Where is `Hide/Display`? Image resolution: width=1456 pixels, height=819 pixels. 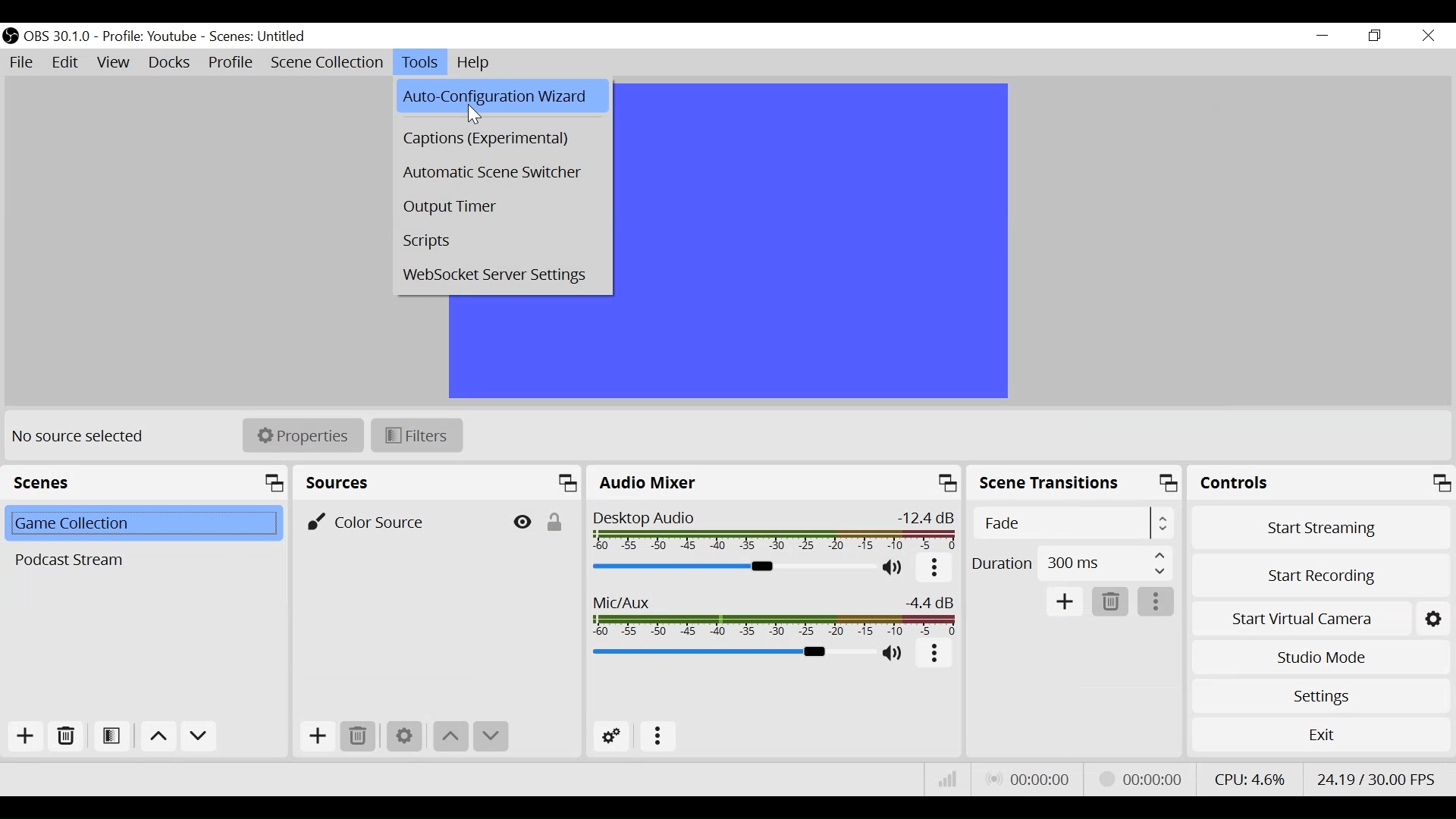 Hide/Display is located at coordinates (520, 520).